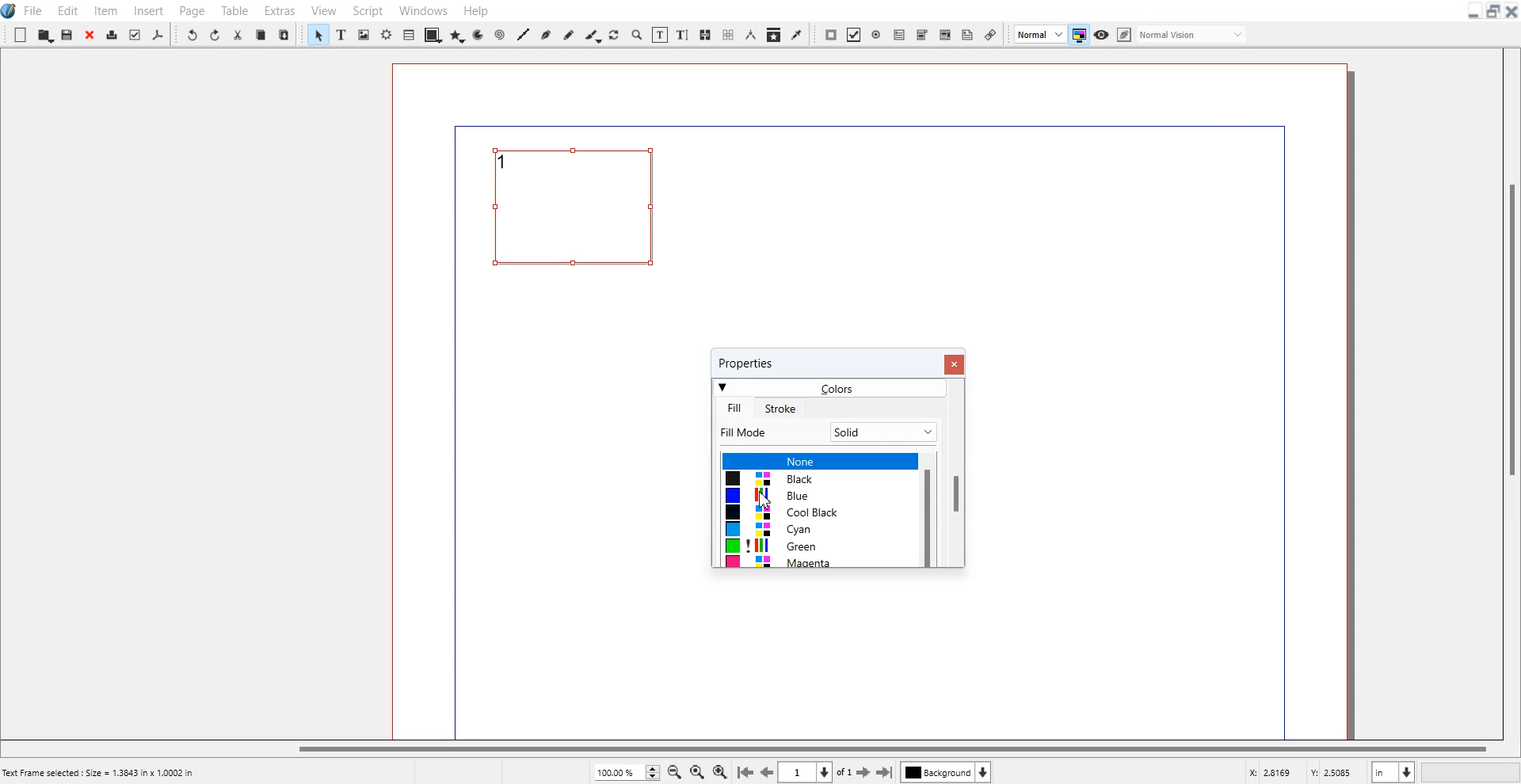 This screenshot has width=1521, height=784. What do you see at coordinates (720, 771) in the screenshot?
I see `Zoom In` at bounding box center [720, 771].